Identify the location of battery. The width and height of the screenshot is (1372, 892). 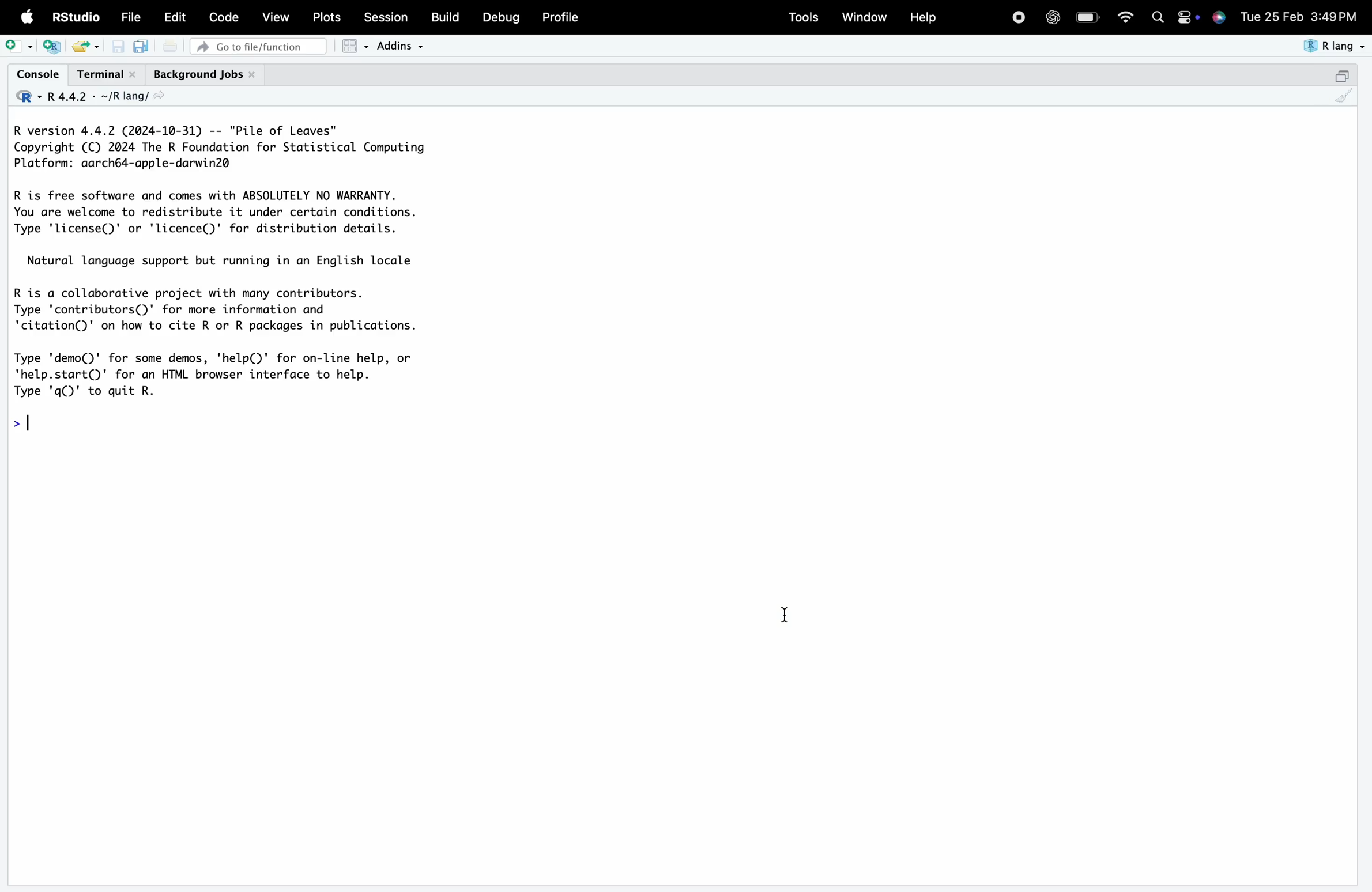
(1087, 17).